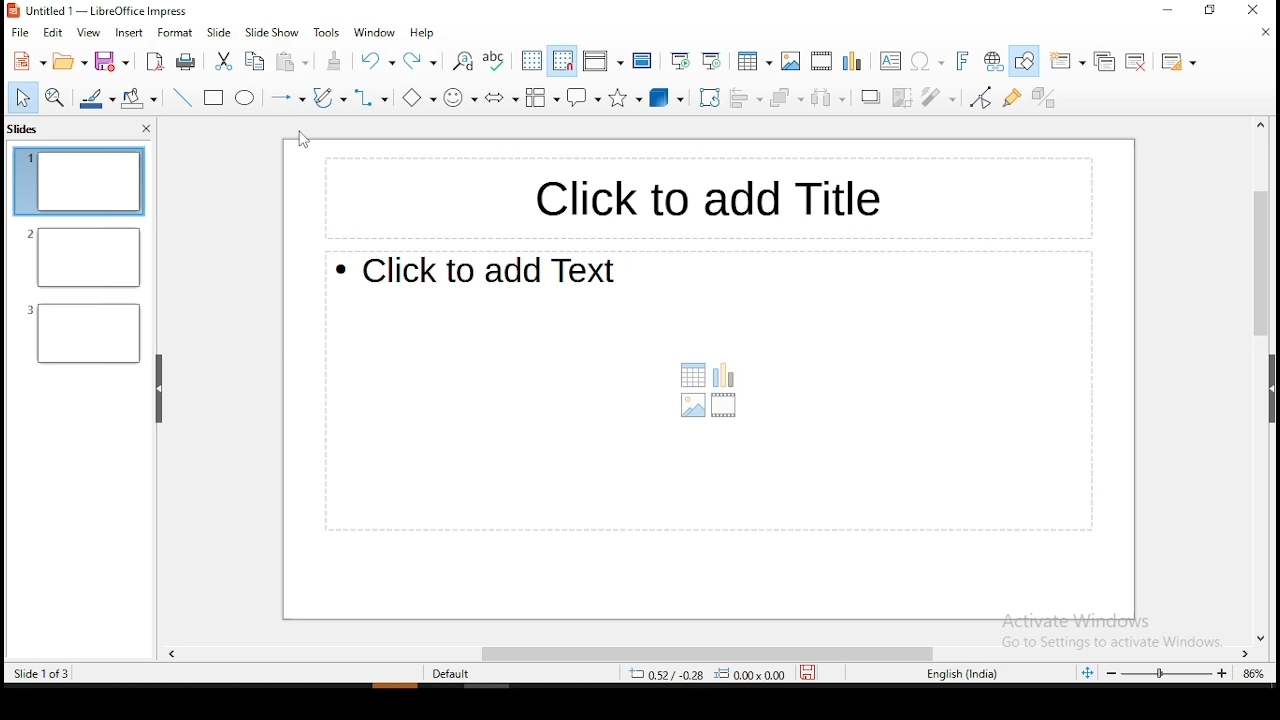 The width and height of the screenshot is (1280, 720). I want to click on paint bucket tool, so click(140, 97).